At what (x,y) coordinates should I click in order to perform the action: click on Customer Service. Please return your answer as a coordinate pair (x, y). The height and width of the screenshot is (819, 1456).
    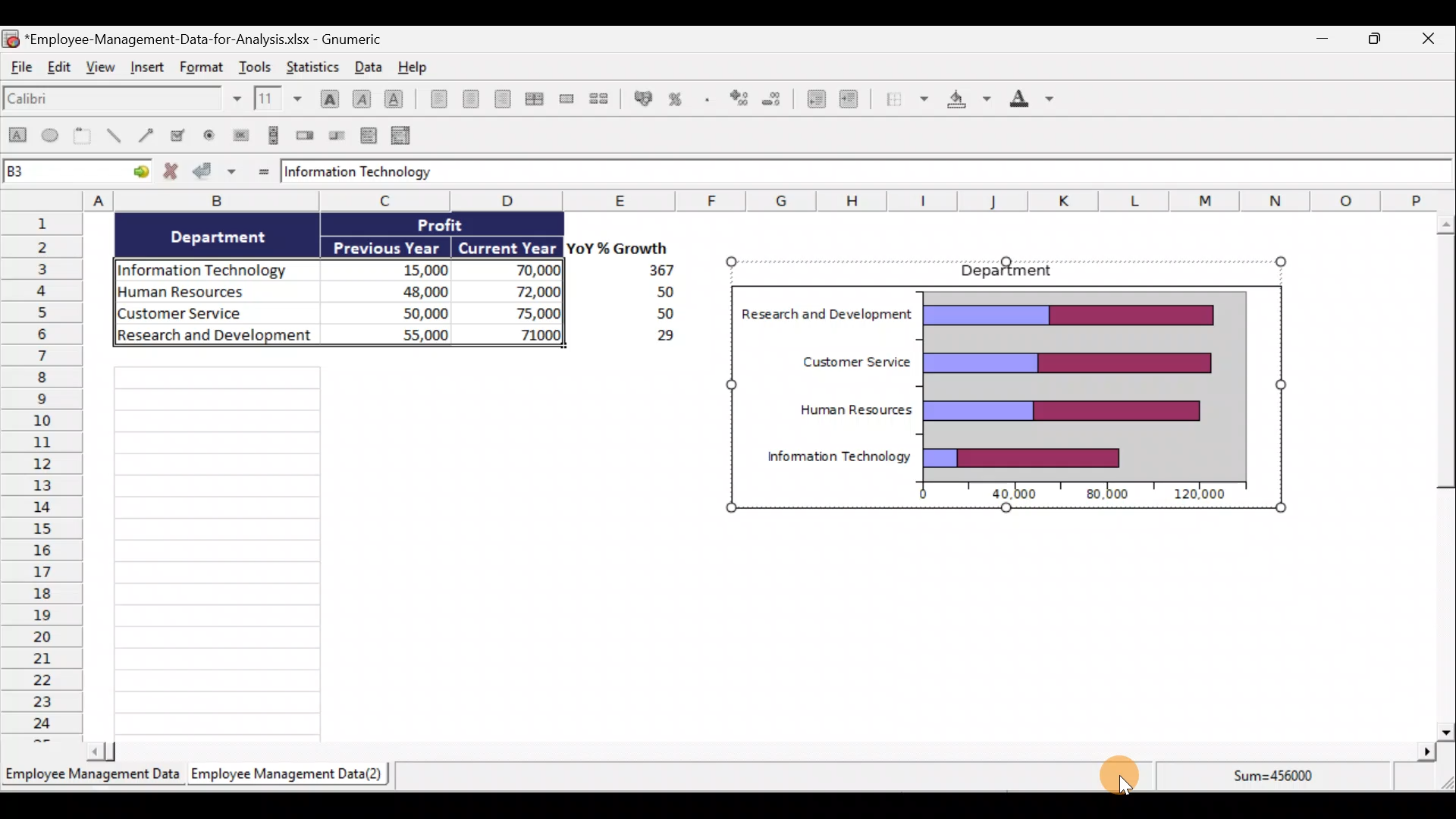
    Looking at the image, I should click on (846, 359).